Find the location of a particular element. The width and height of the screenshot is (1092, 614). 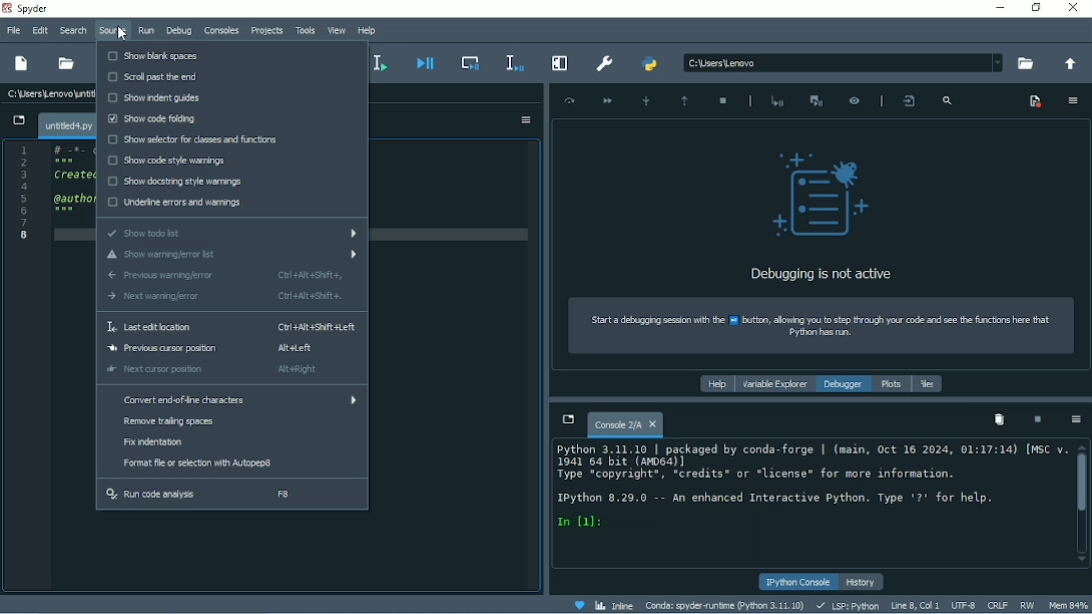

How to start a debugging is located at coordinates (821, 324).